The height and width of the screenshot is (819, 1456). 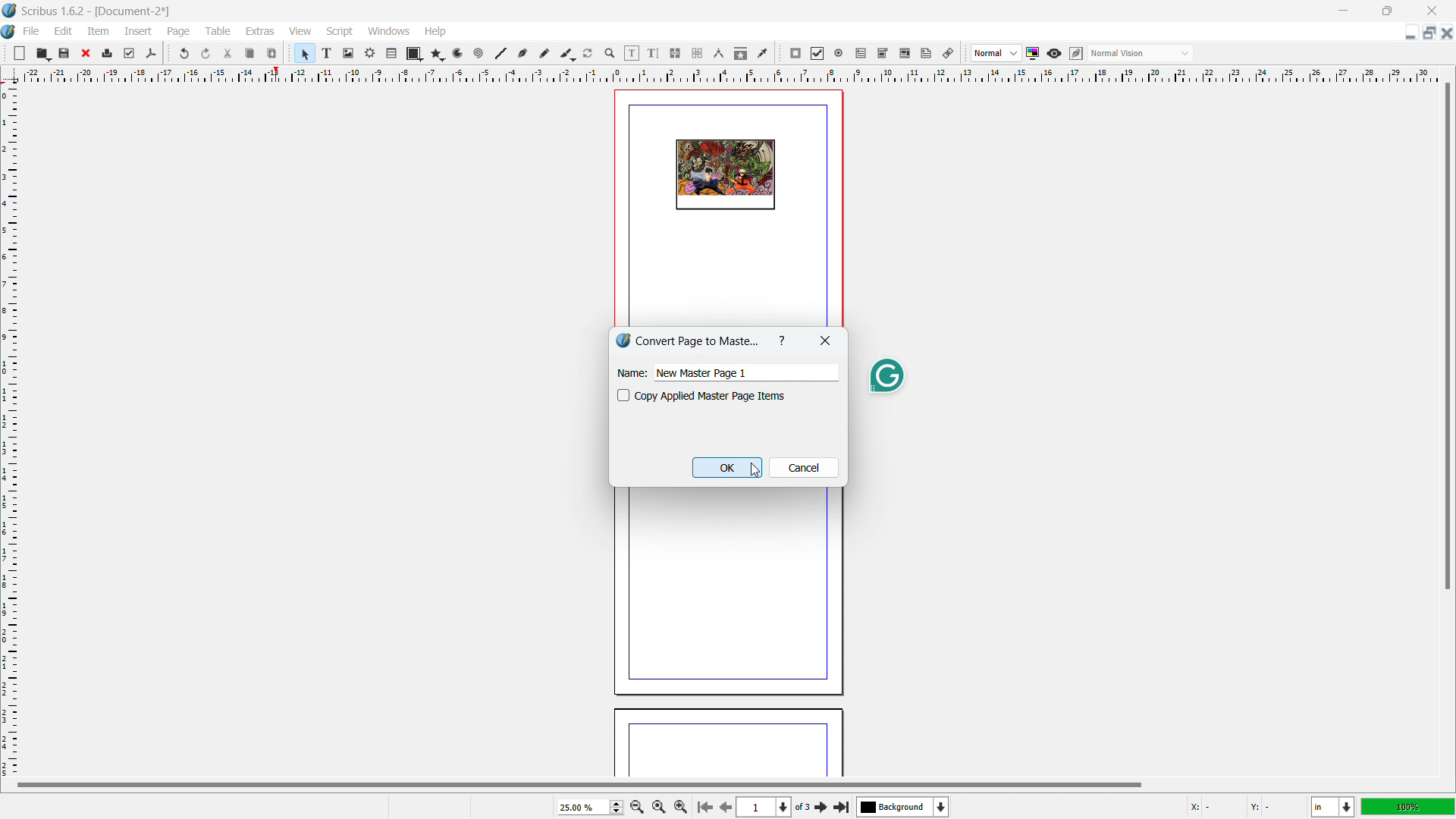 I want to click on unit of measurement, so click(x=1333, y=808).